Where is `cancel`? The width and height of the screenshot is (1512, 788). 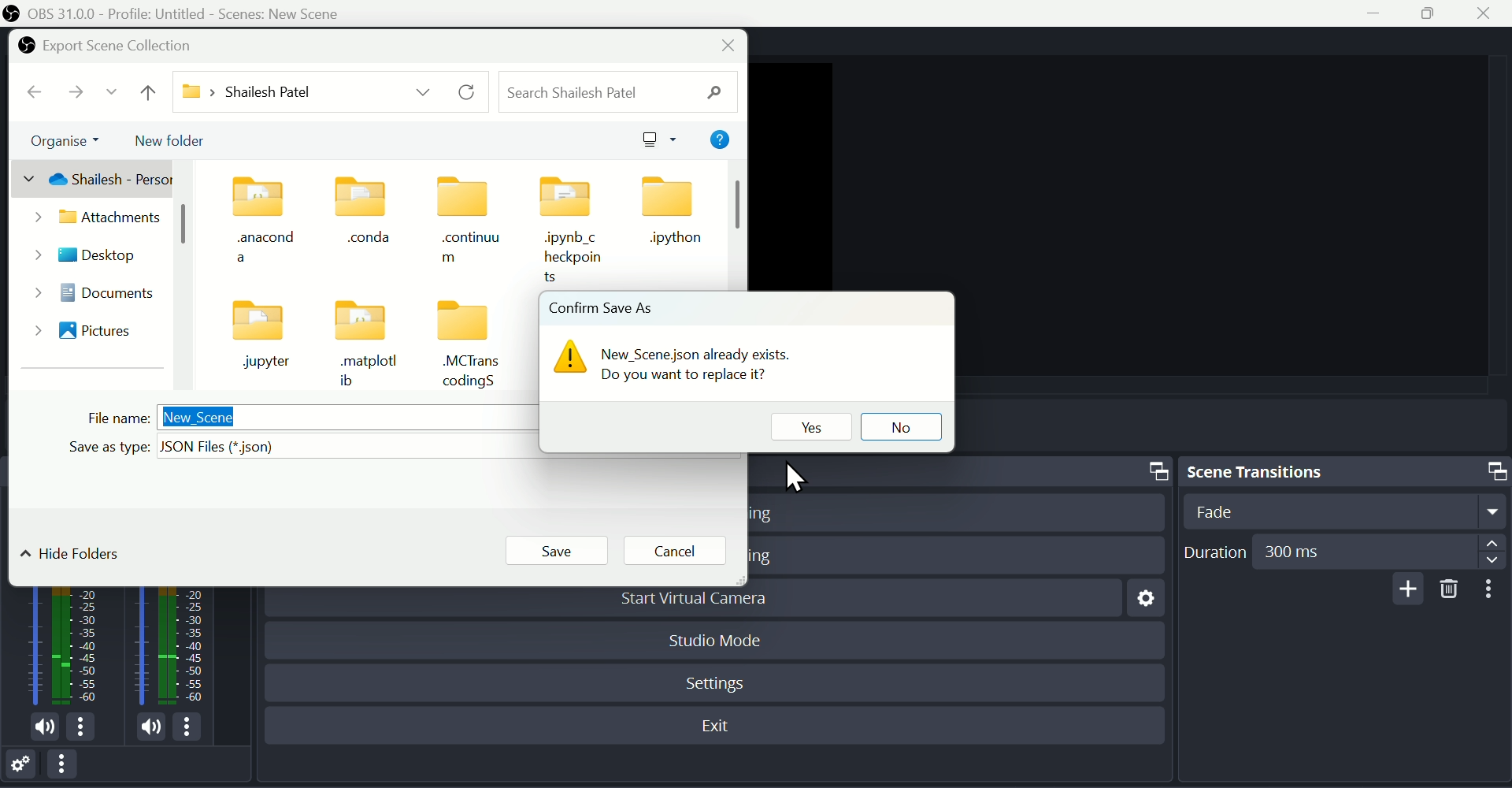
cancel is located at coordinates (676, 548).